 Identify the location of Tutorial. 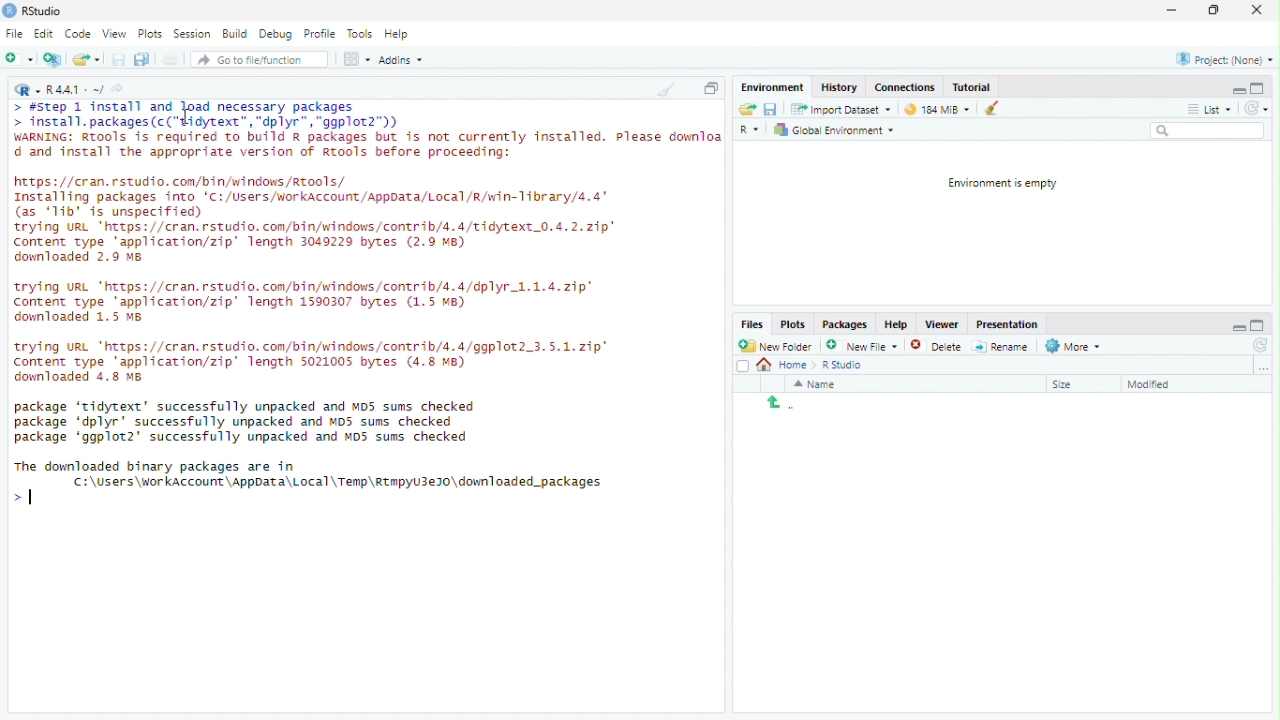
(972, 87).